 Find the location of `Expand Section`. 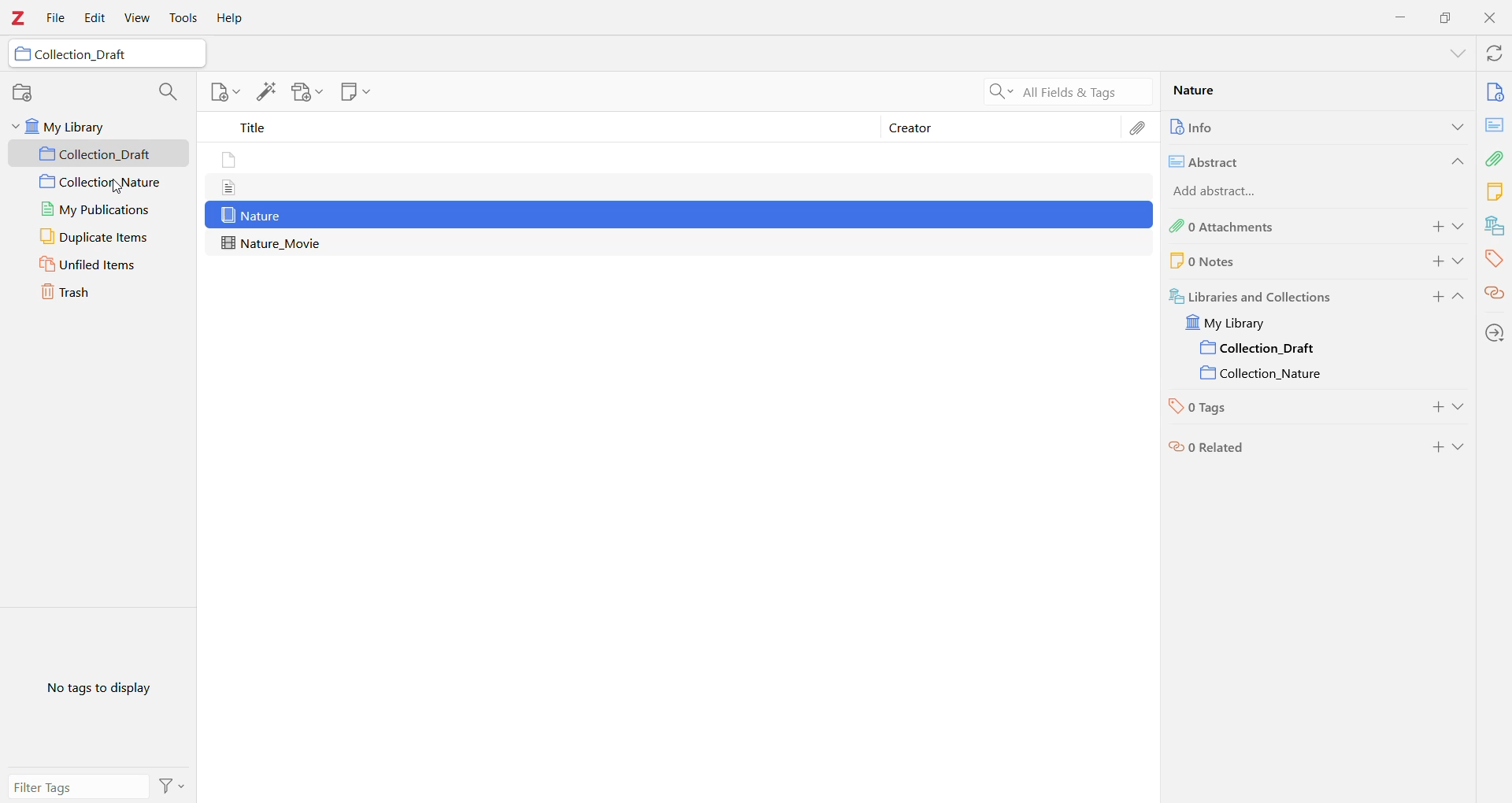

Expand Section is located at coordinates (1460, 261).